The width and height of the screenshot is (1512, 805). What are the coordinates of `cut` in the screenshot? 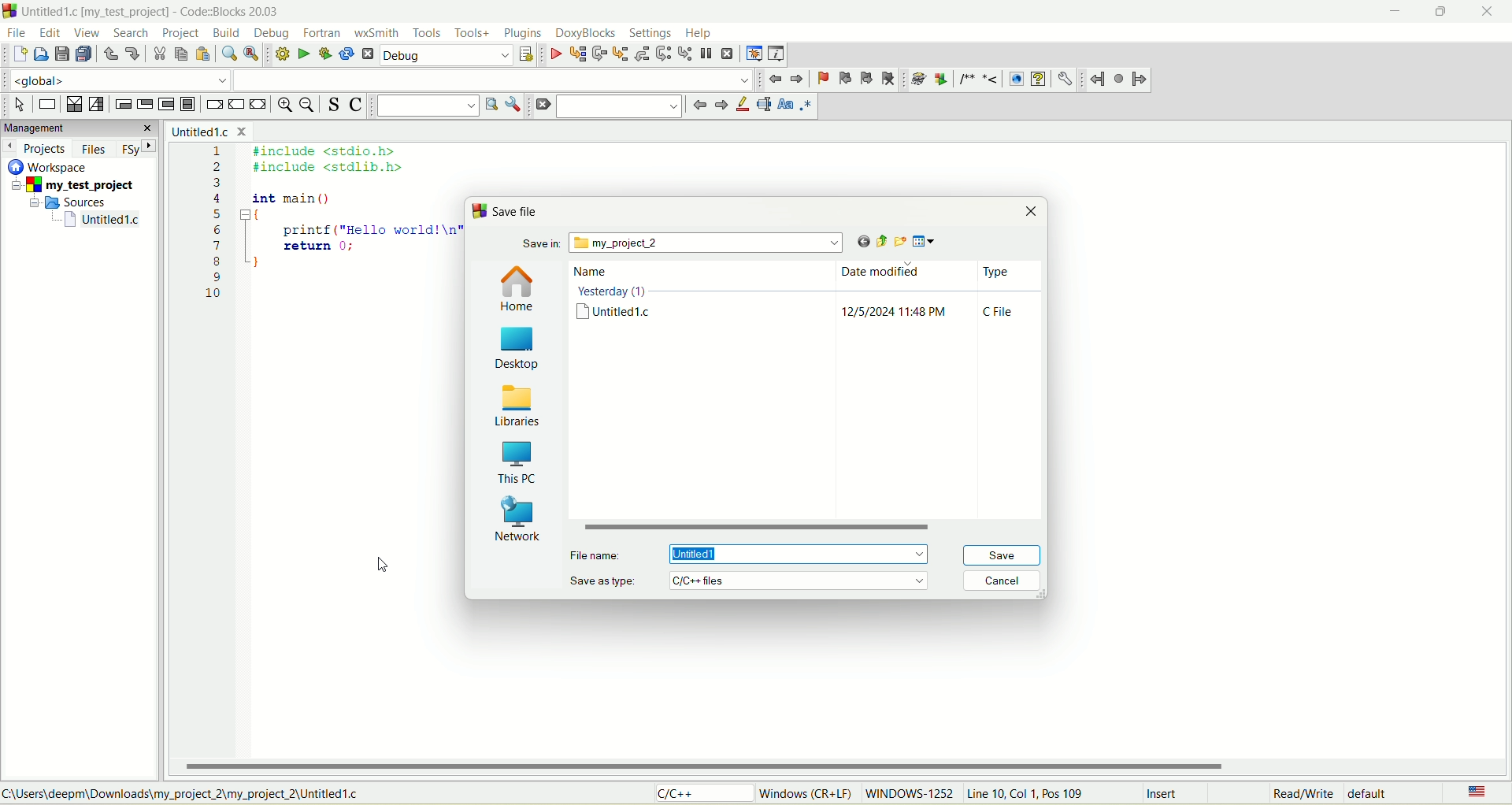 It's located at (158, 54).